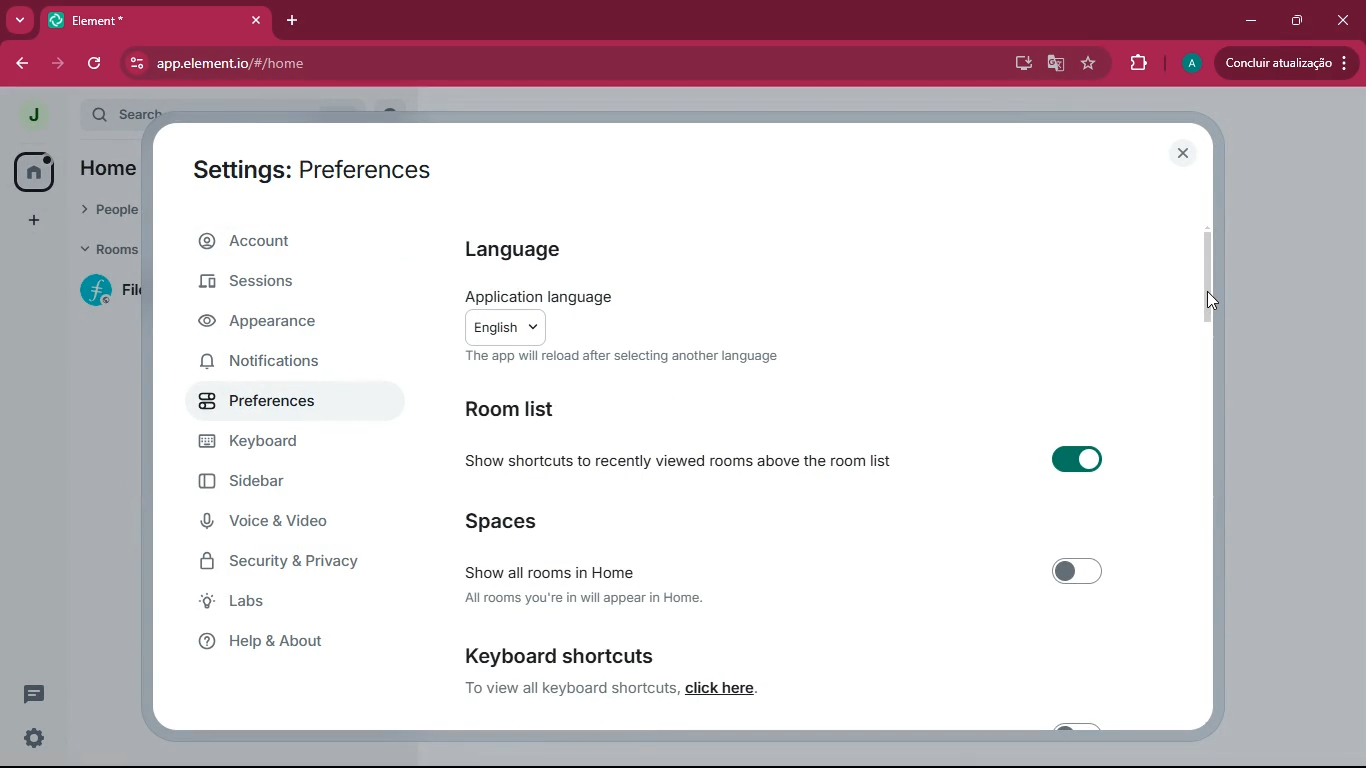 Image resolution: width=1366 pixels, height=768 pixels. I want to click on toggle on/off, so click(1079, 571).